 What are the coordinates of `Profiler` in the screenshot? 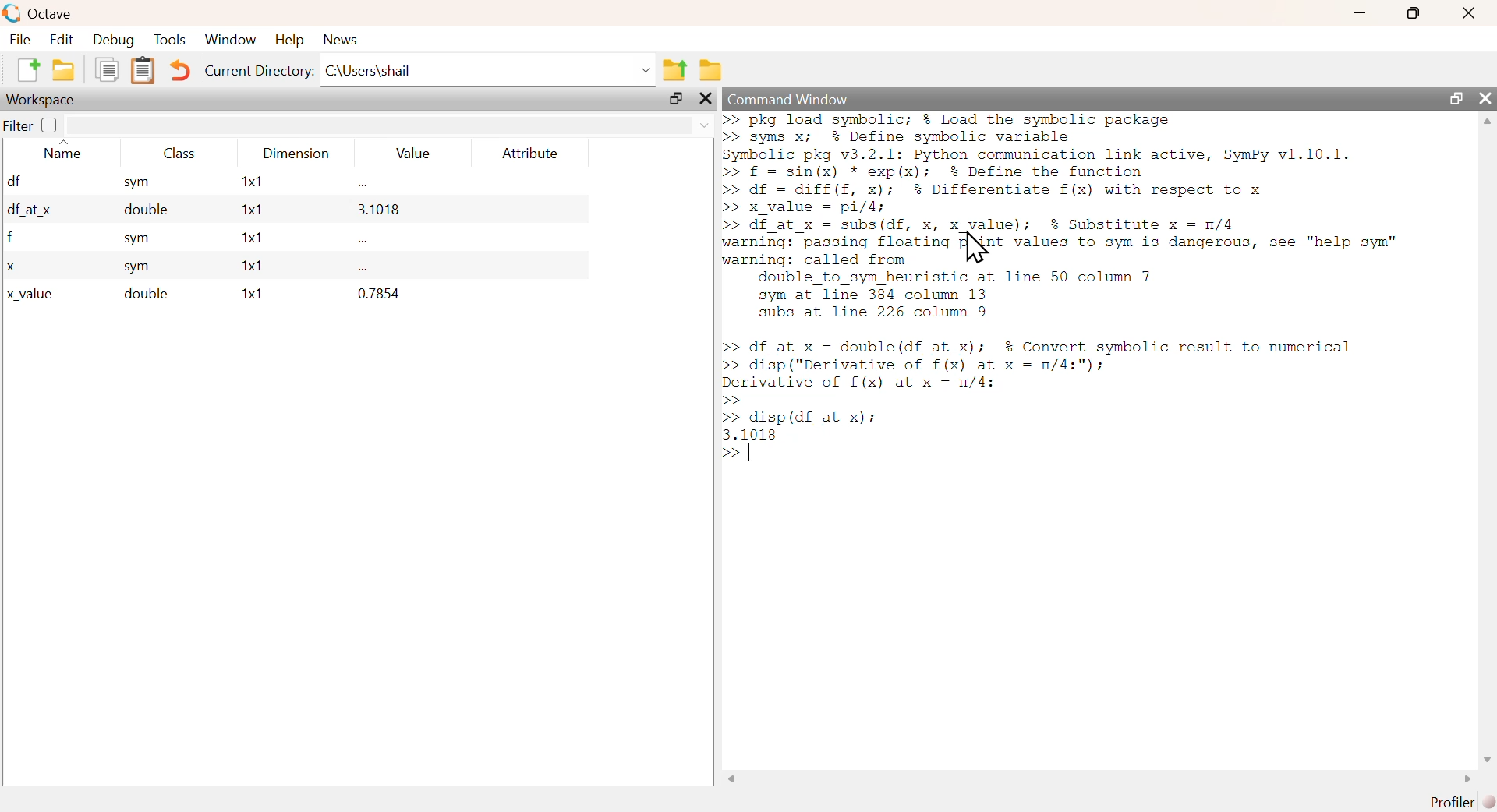 It's located at (1449, 802).